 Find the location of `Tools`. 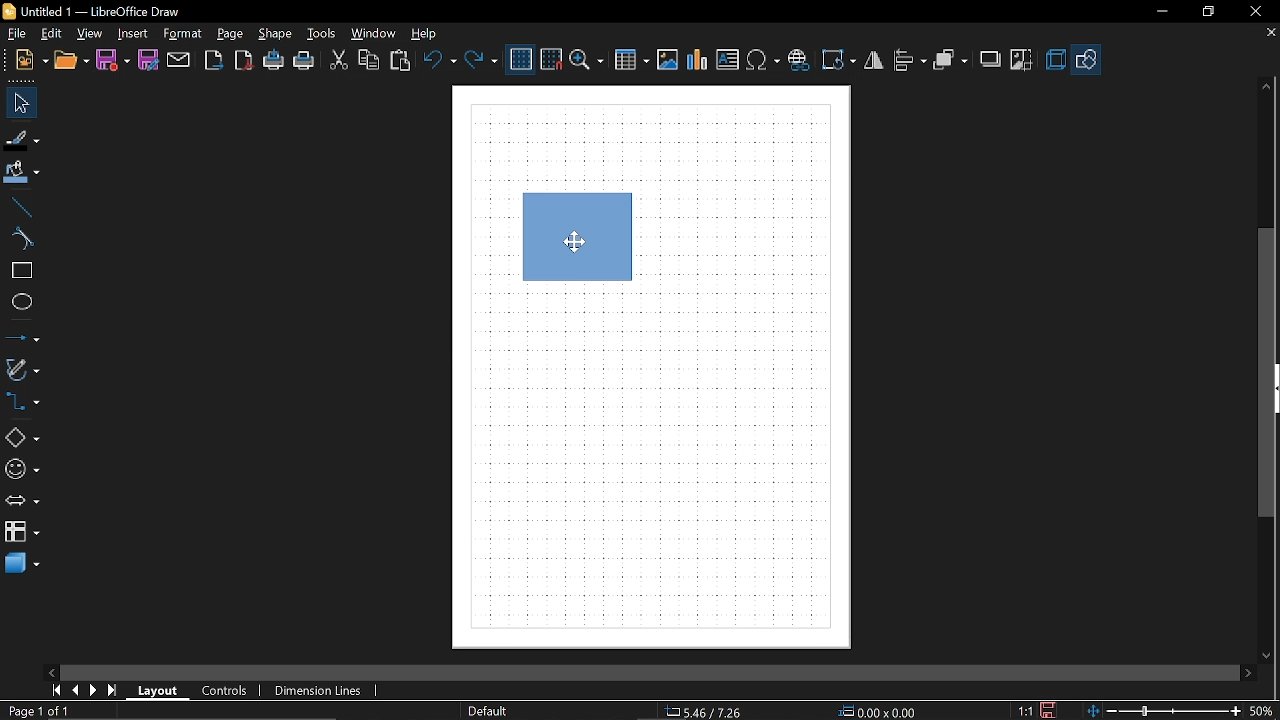

Tools is located at coordinates (324, 34).